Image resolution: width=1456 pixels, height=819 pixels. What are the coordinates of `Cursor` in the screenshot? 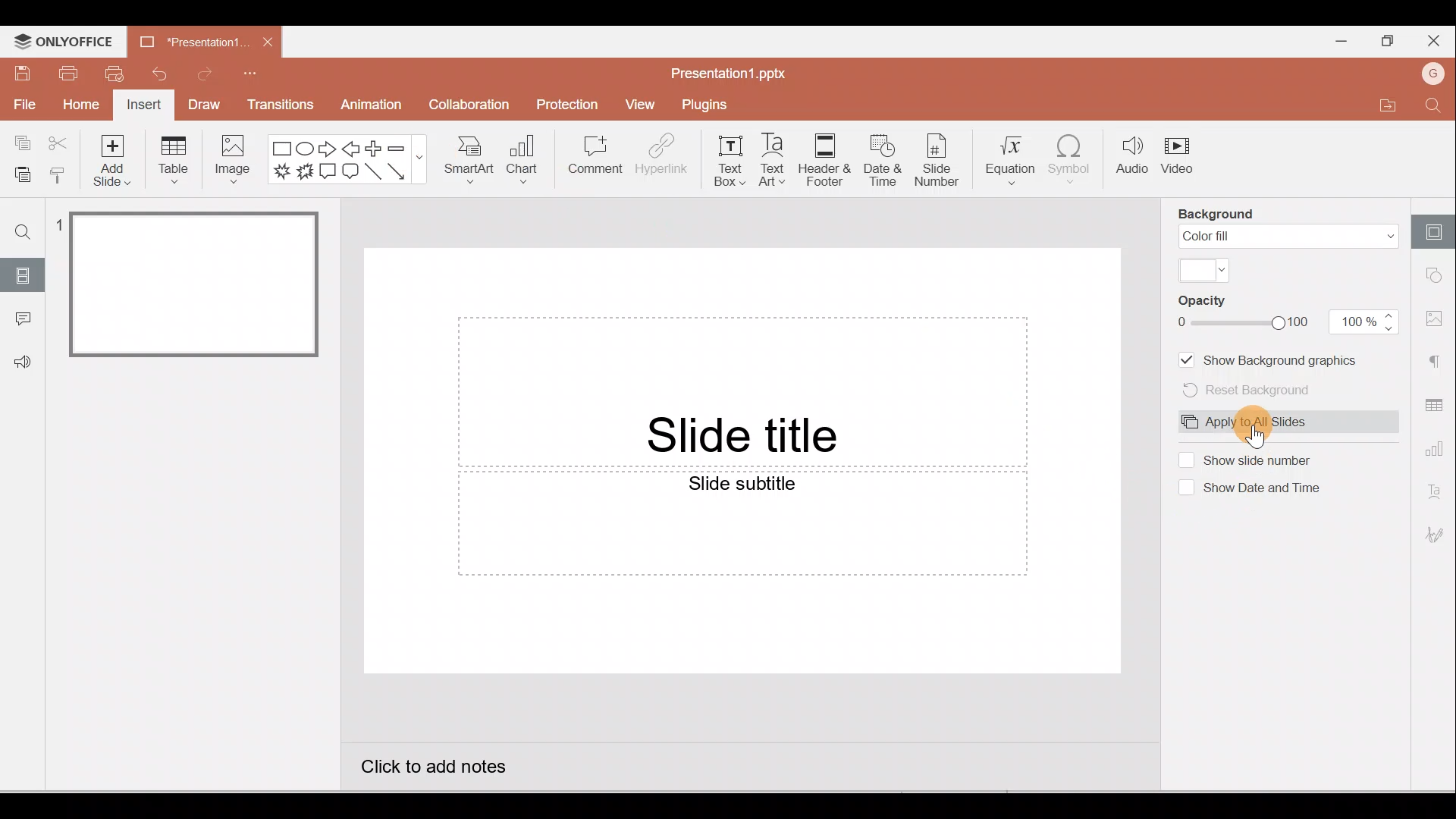 It's located at (1257, 437).